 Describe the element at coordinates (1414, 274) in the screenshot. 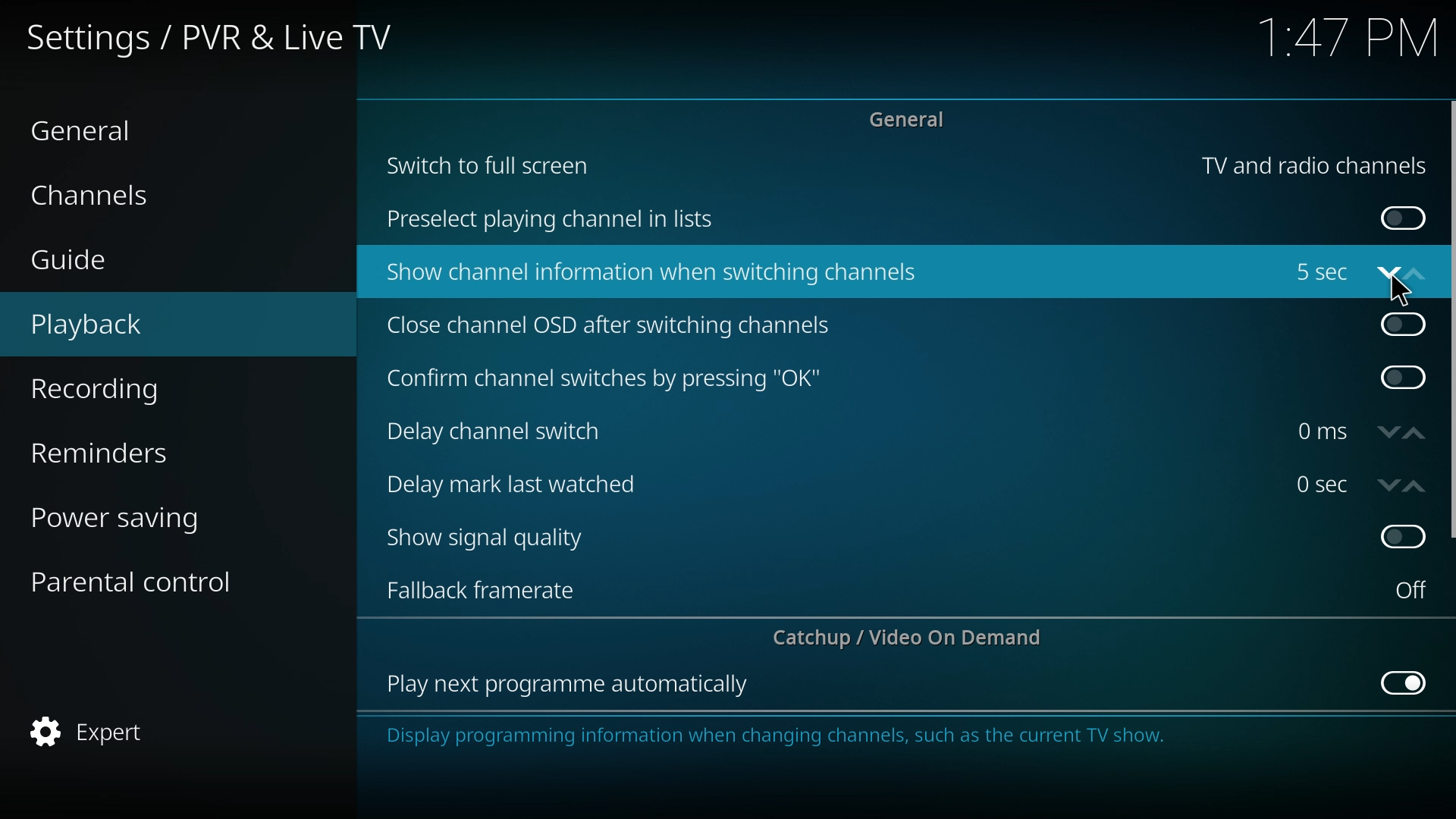

I see `increase time` at that location.